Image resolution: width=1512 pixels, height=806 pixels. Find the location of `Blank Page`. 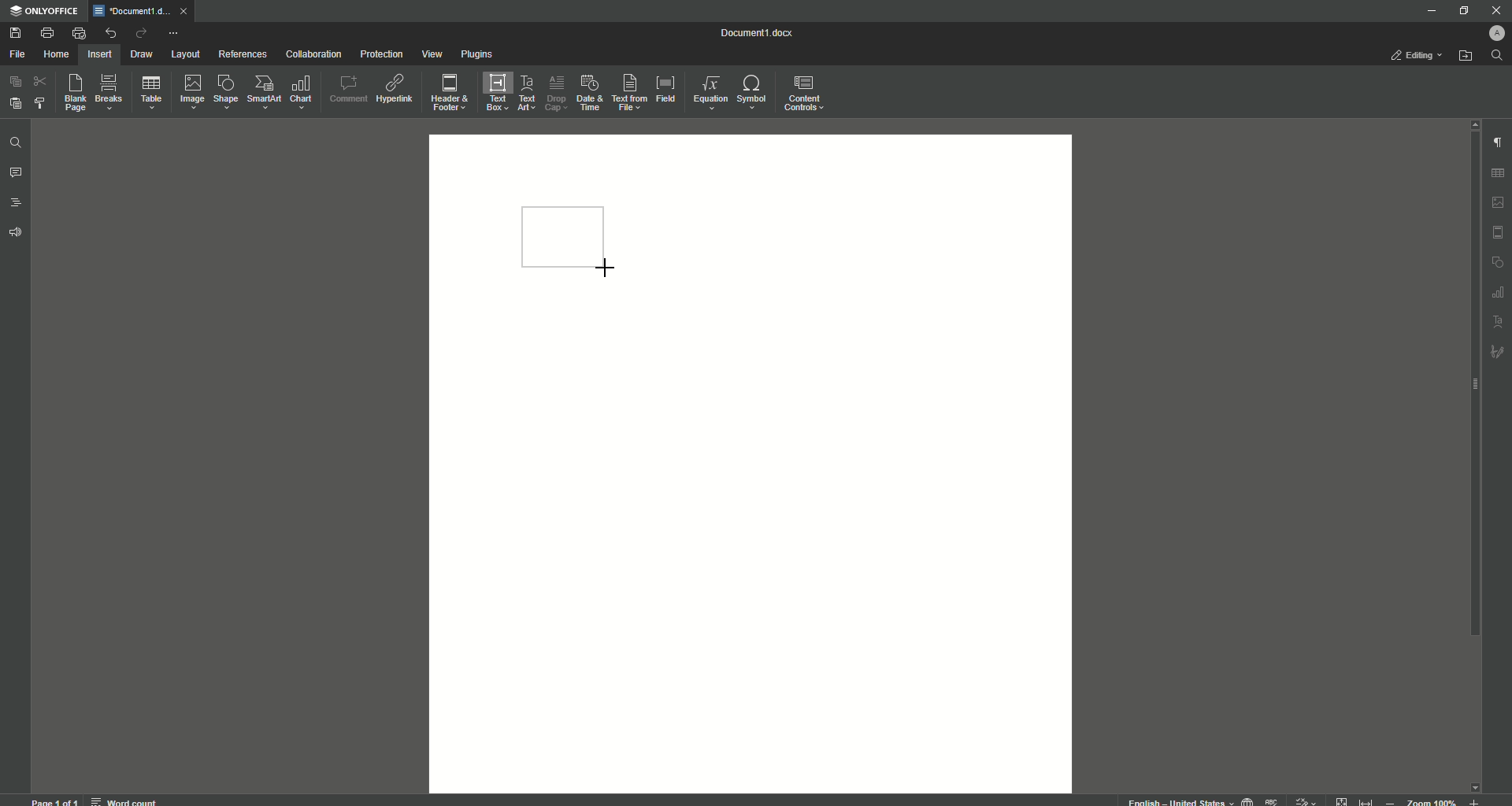

Blank Page is located at coordinates (76, 92).